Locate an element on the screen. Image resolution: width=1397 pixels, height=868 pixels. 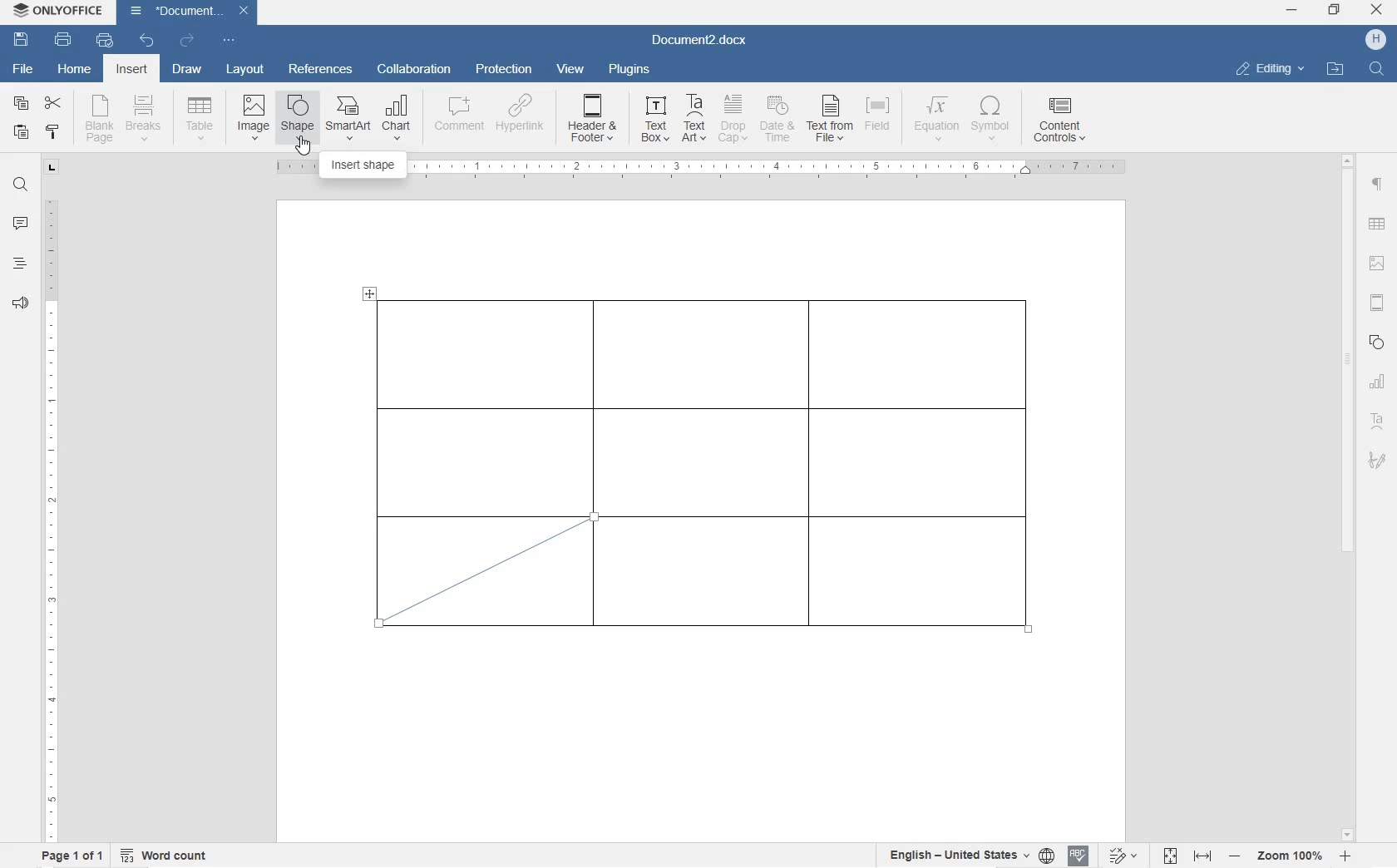
select text or document language is located at coordinates (969, 857).